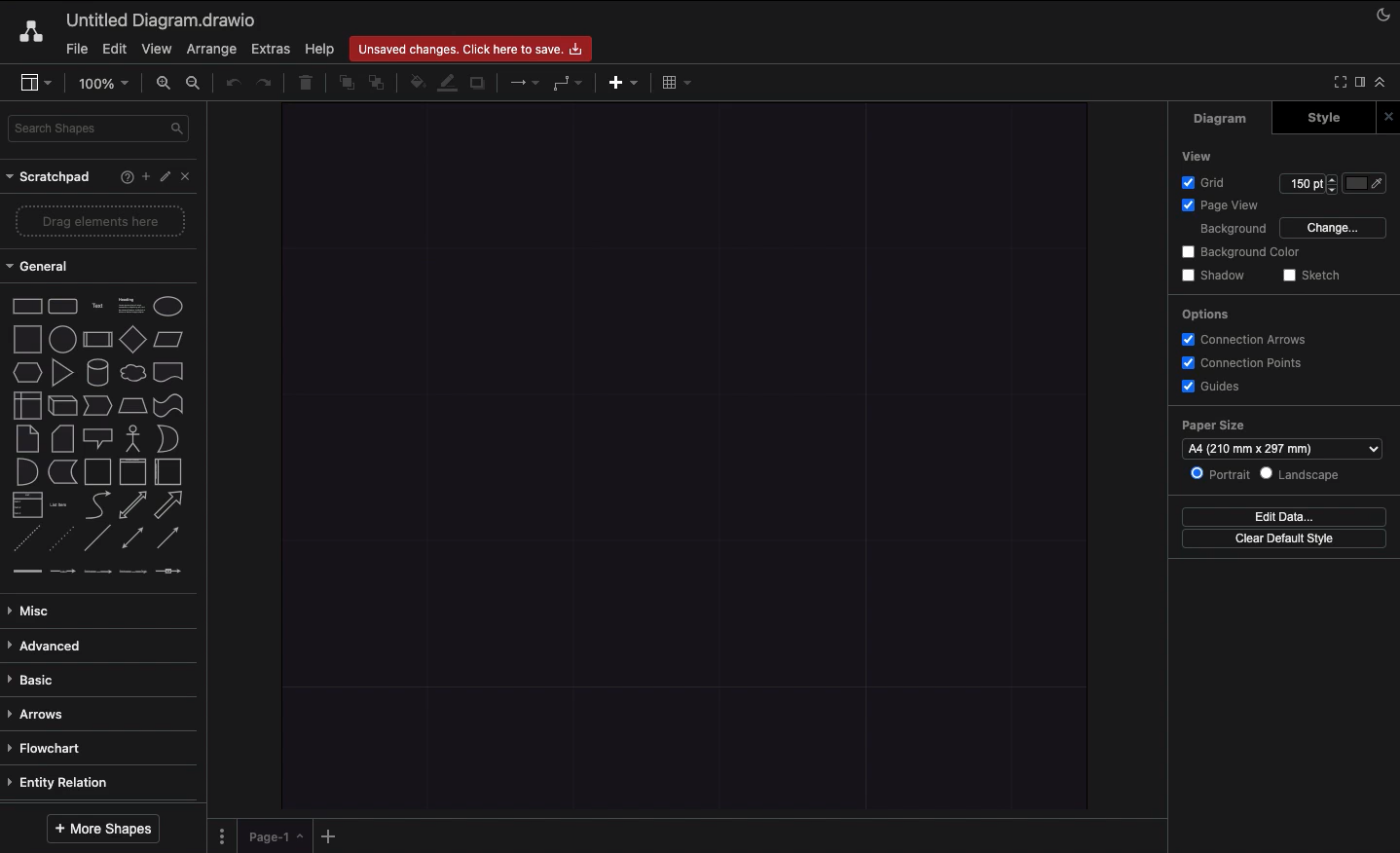  What do you see at coordinates (327, 834) in the screenshot?
I see `Add new page` at bounding box center [327, 834].